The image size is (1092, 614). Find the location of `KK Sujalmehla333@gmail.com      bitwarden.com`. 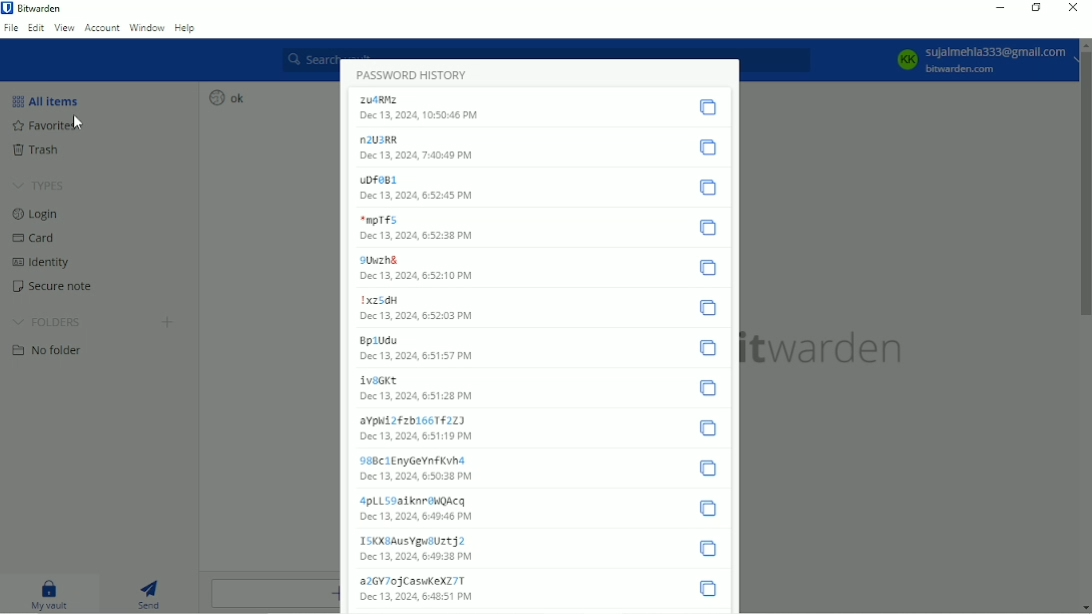

KK Sujalmehla333@gmail.com      bitwarden.com is located at coordinates (973, 59).